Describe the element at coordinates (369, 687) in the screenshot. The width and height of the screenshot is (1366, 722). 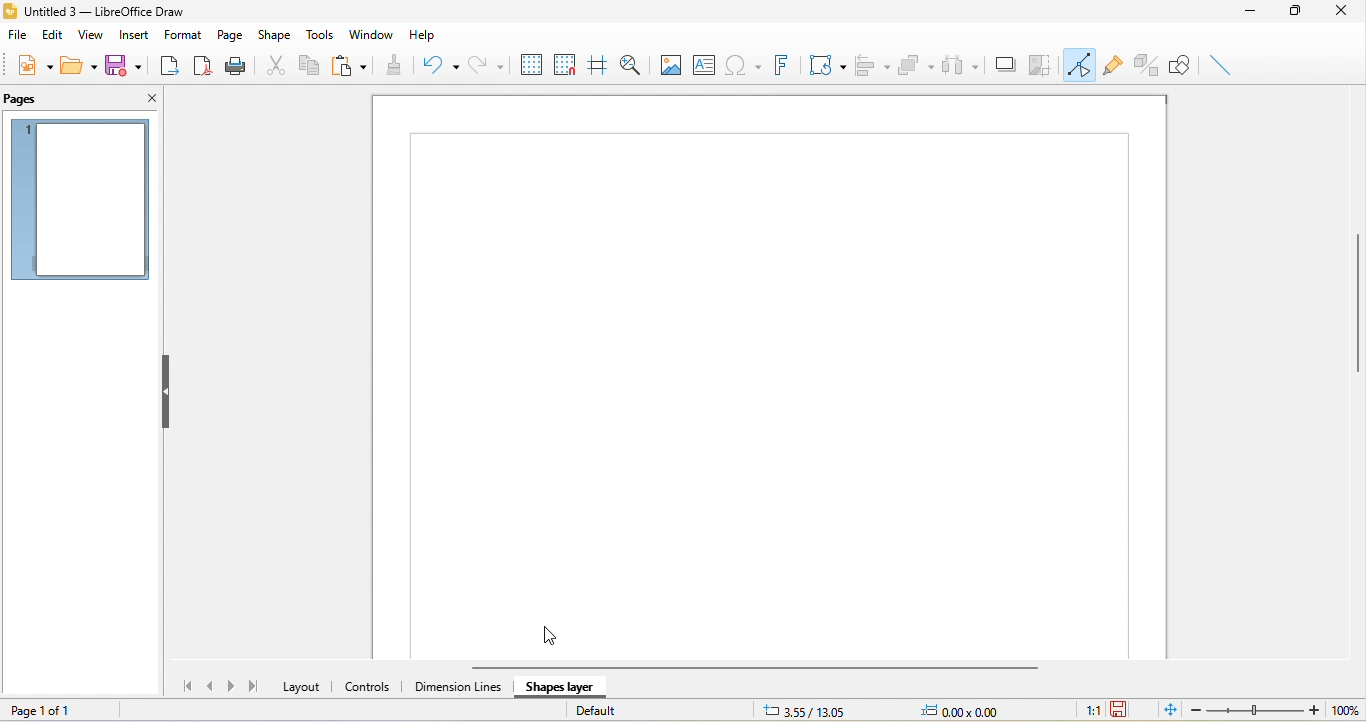
I see `control` at that location.